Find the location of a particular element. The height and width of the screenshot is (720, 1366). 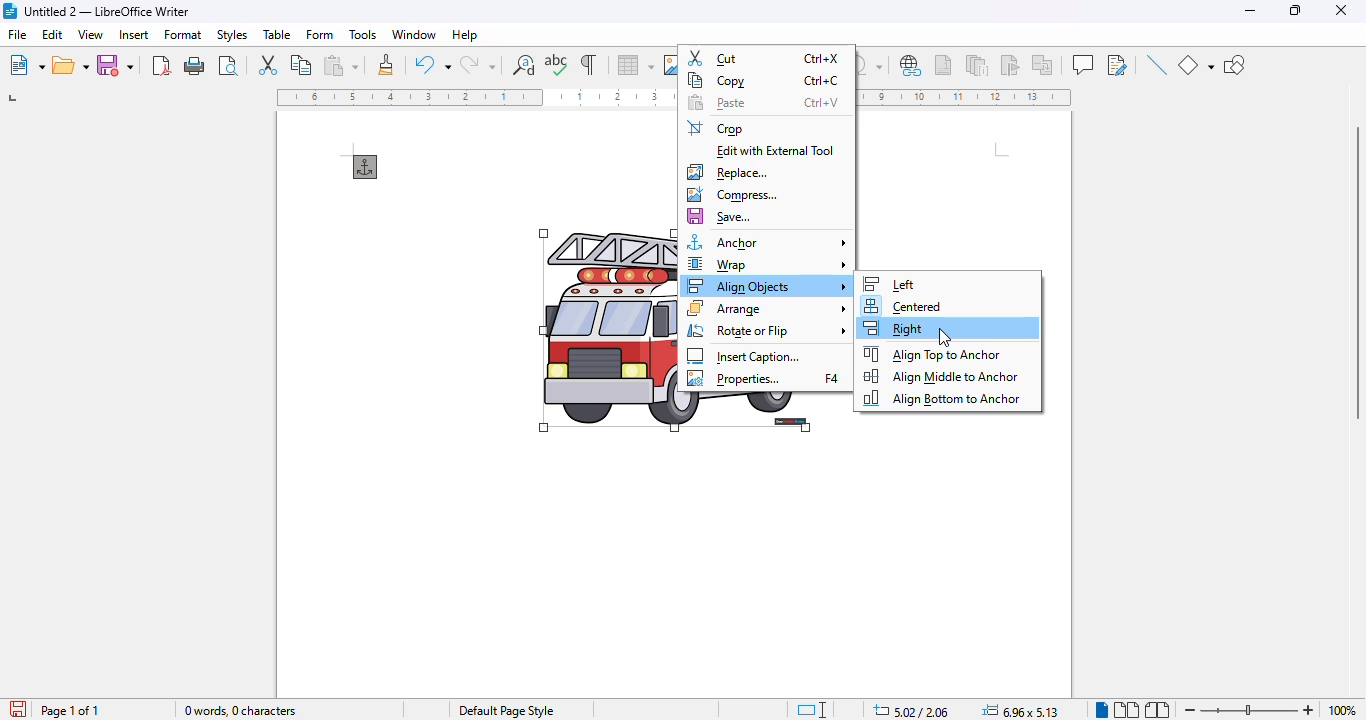

vertical scroll bar is located at coordinates (1356, 274).